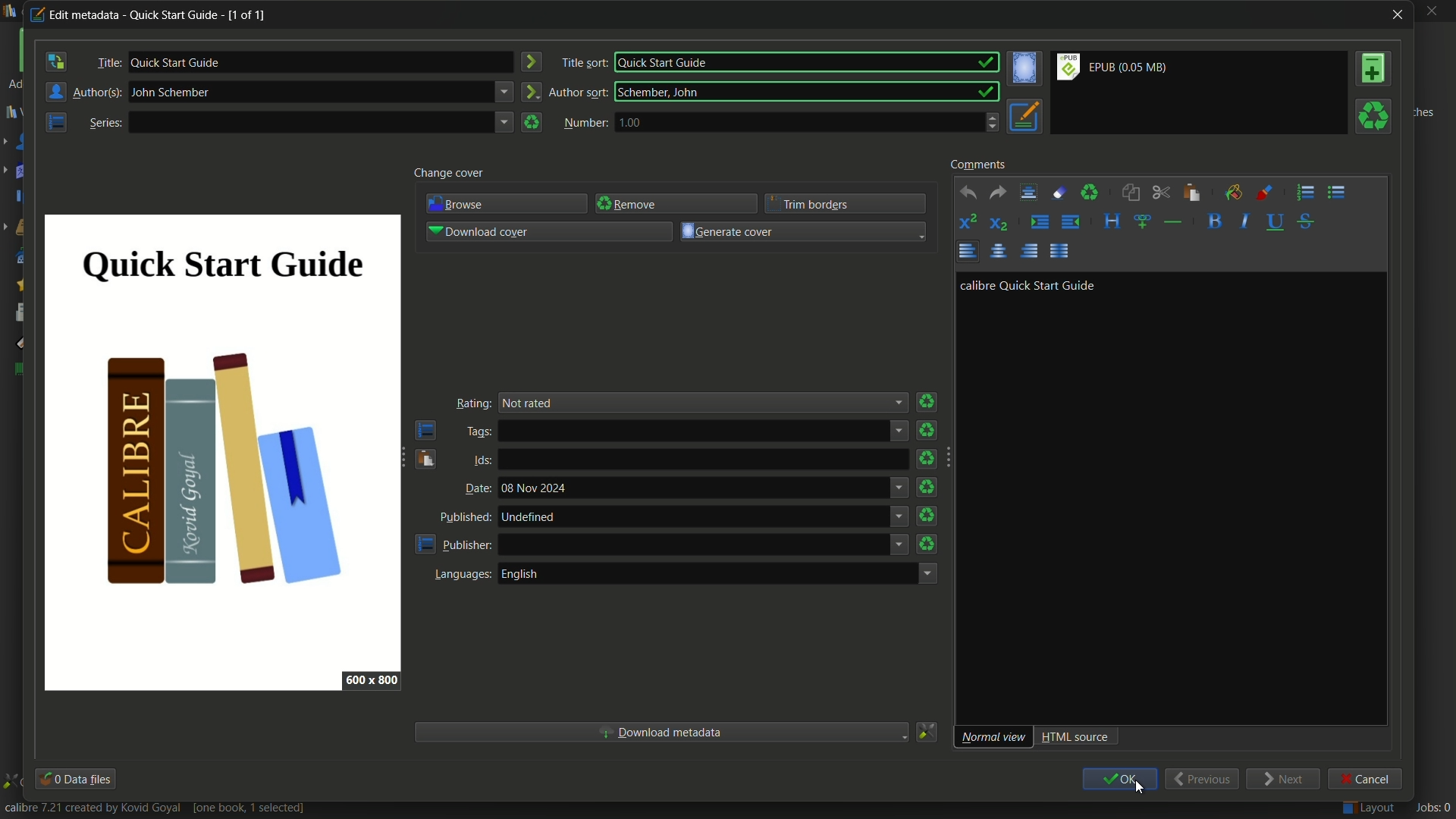  Describe the element at coordinates (927, 431) in the screenshot. I see `remove` at that location.